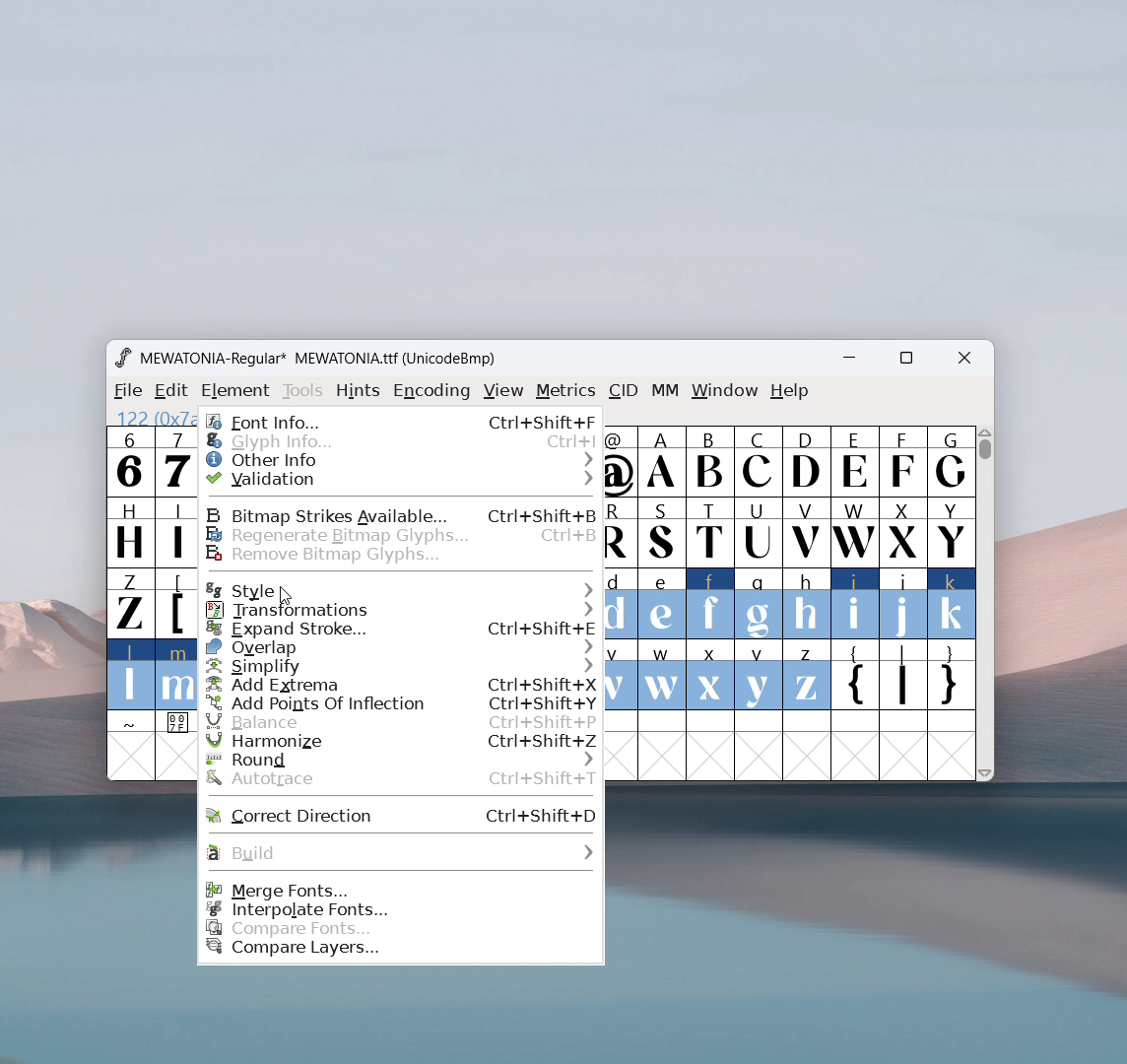  Describe the element at coordinates (805, 460) in the screenshot. I see `D` at that location.